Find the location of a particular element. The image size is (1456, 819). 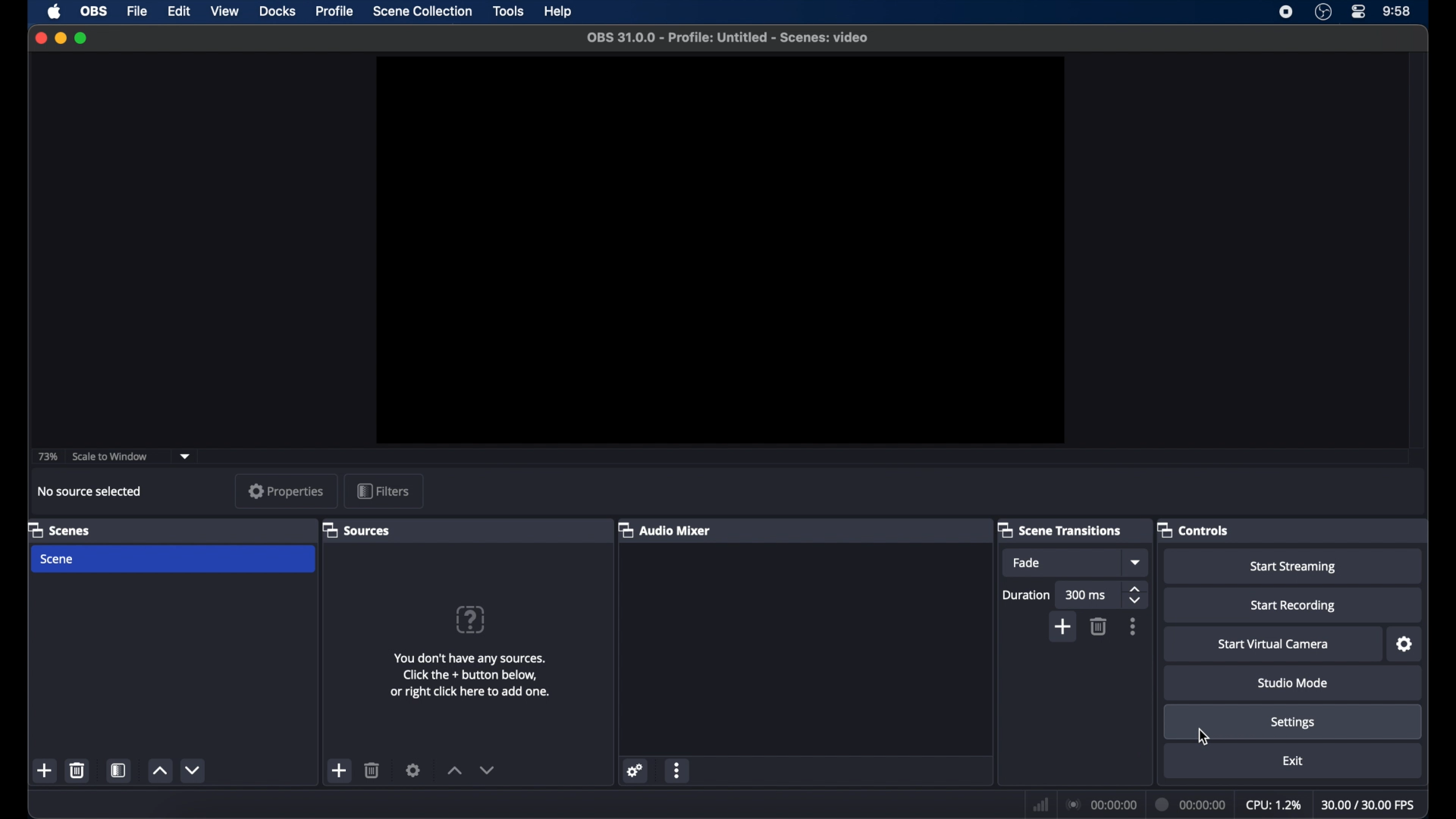

view is located at coordinates (224, 11).